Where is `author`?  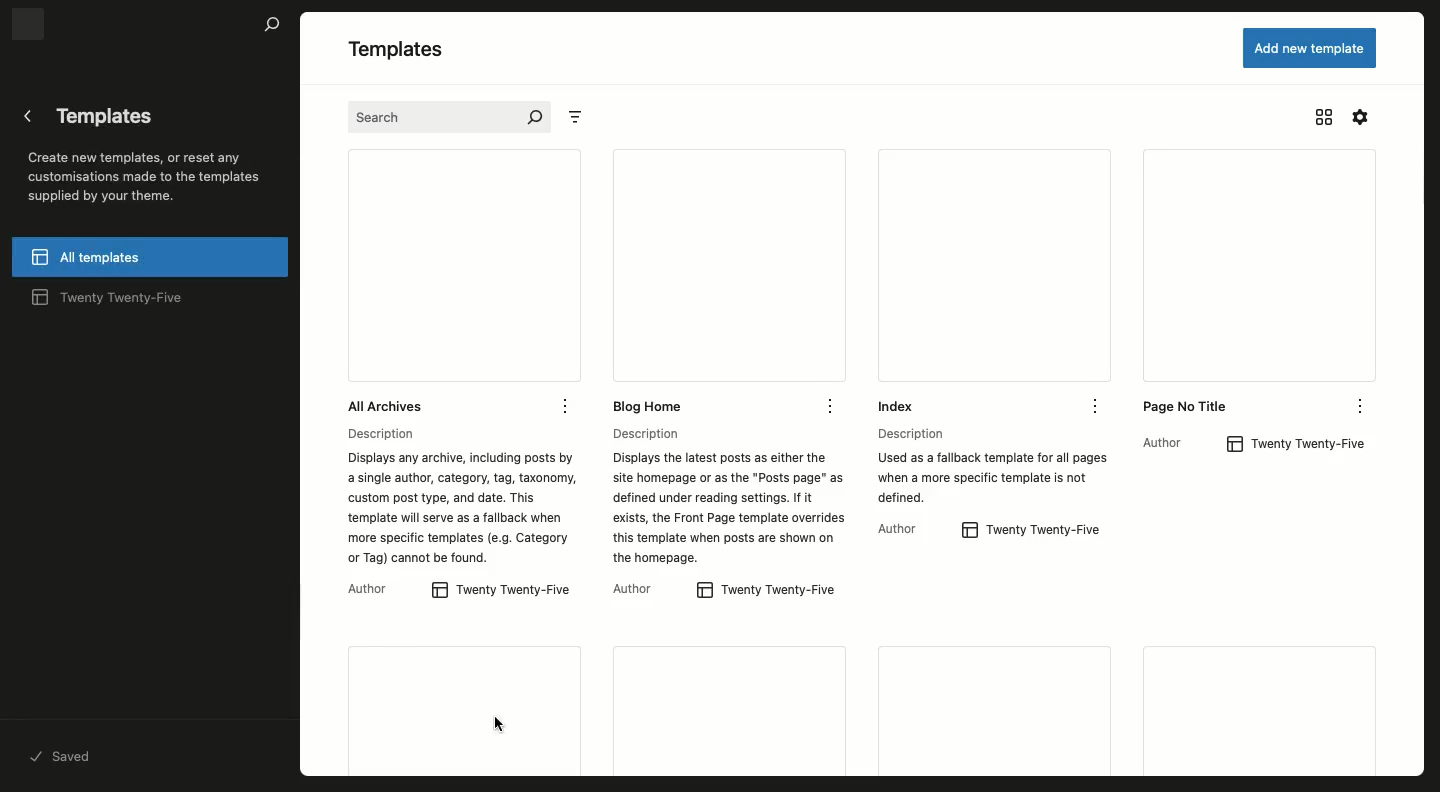 author is located at coordinates (1165, 441).